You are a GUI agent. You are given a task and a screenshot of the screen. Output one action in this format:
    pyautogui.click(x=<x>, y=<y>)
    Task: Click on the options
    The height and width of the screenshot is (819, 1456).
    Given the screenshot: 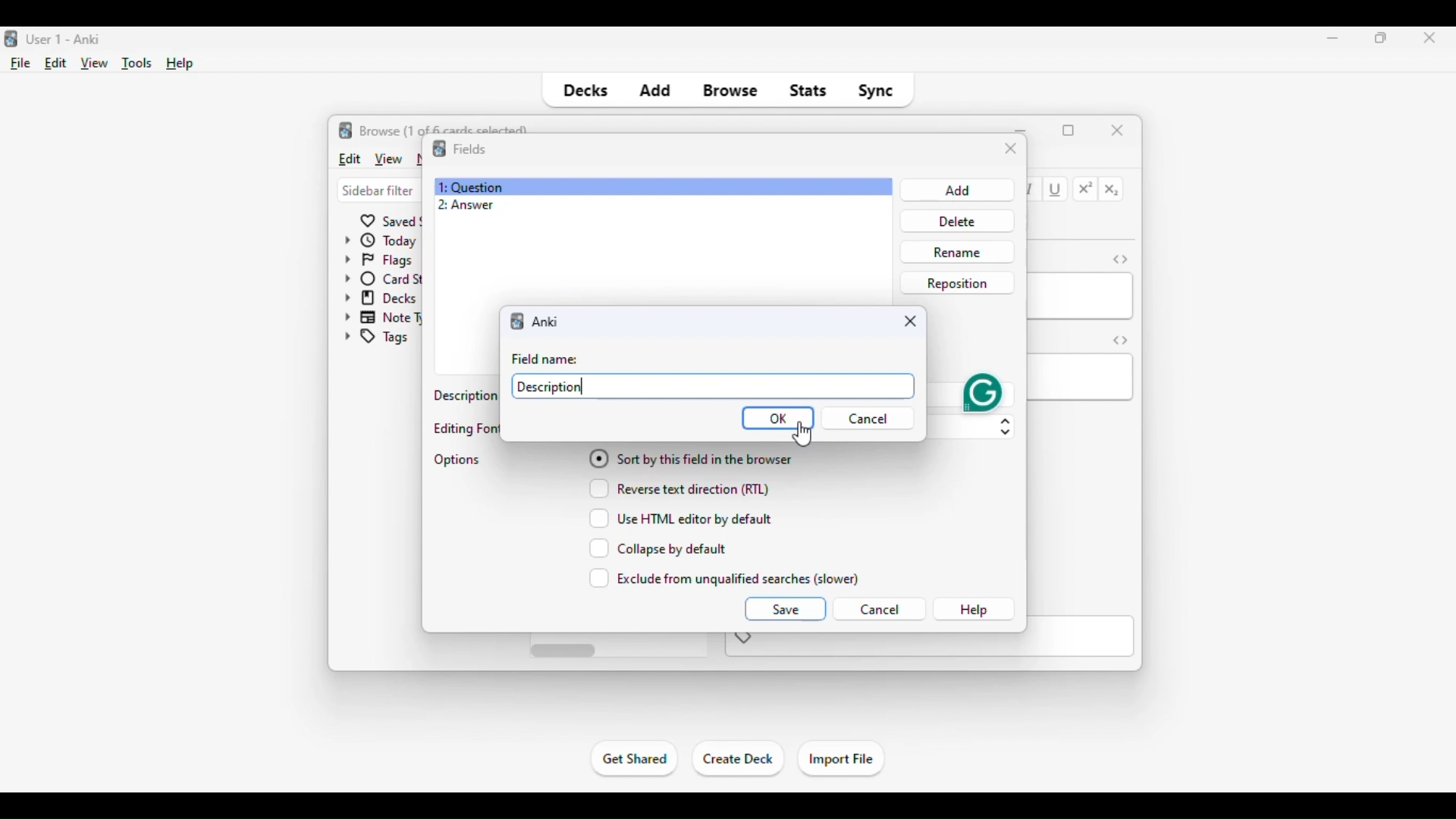 What is the action you would take?
    pyautogui.click(x=458, y=460)
    